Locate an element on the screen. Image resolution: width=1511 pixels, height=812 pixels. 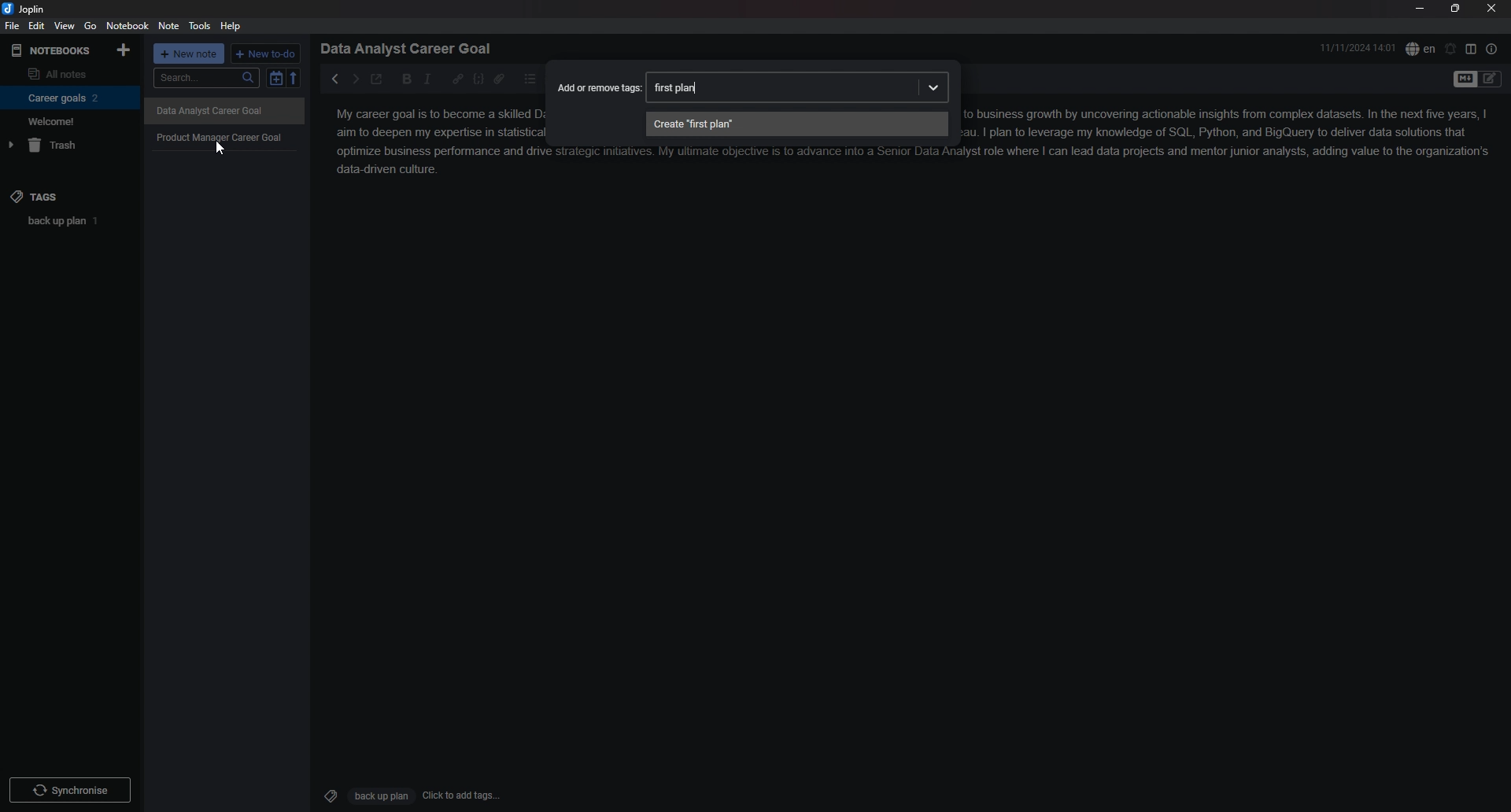
view is located at coordinates (65, 26).